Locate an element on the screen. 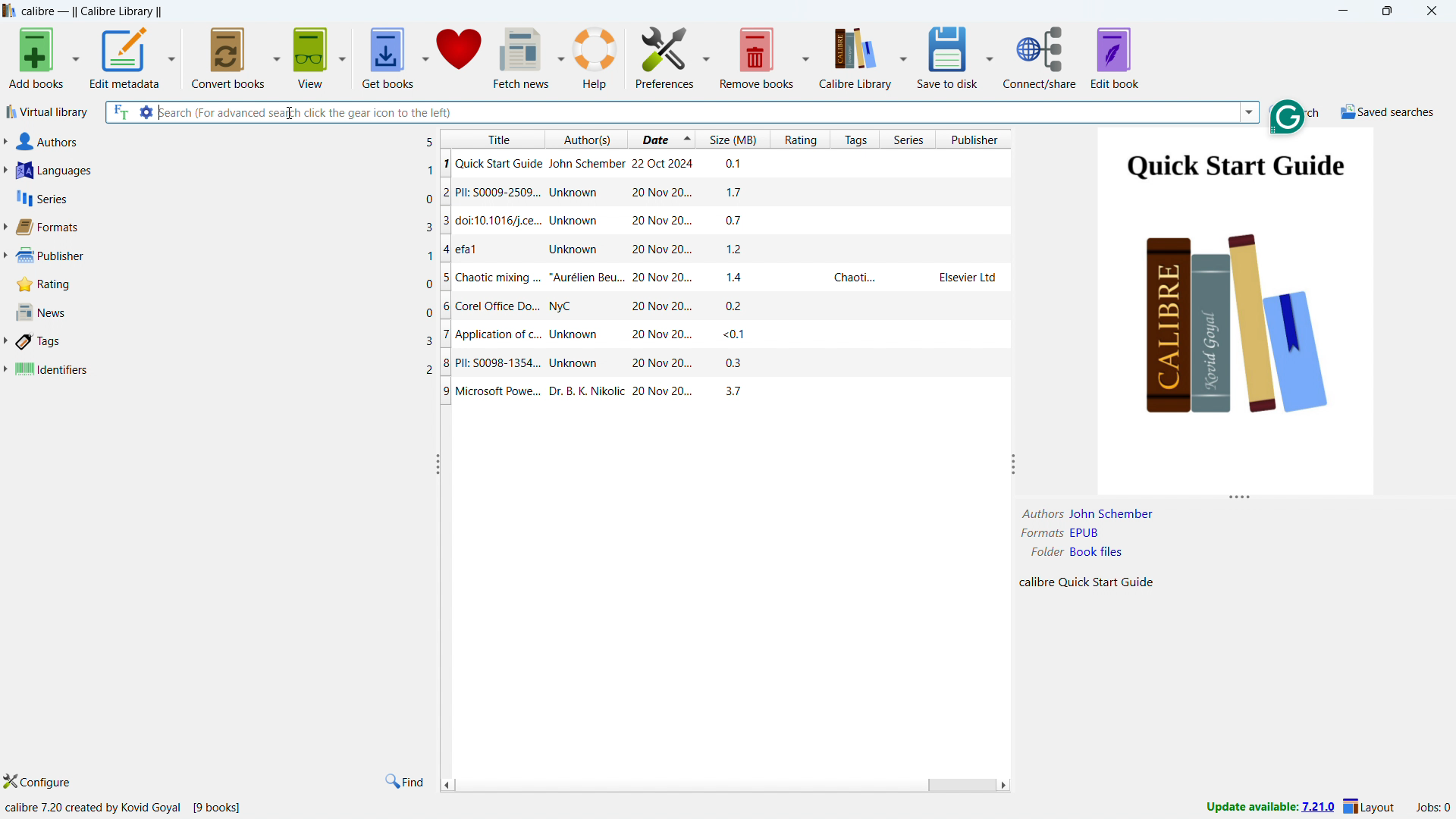 The image size is (1456, 819). doic 10.1016/j.ce.. is located at coordinates (723, 224).